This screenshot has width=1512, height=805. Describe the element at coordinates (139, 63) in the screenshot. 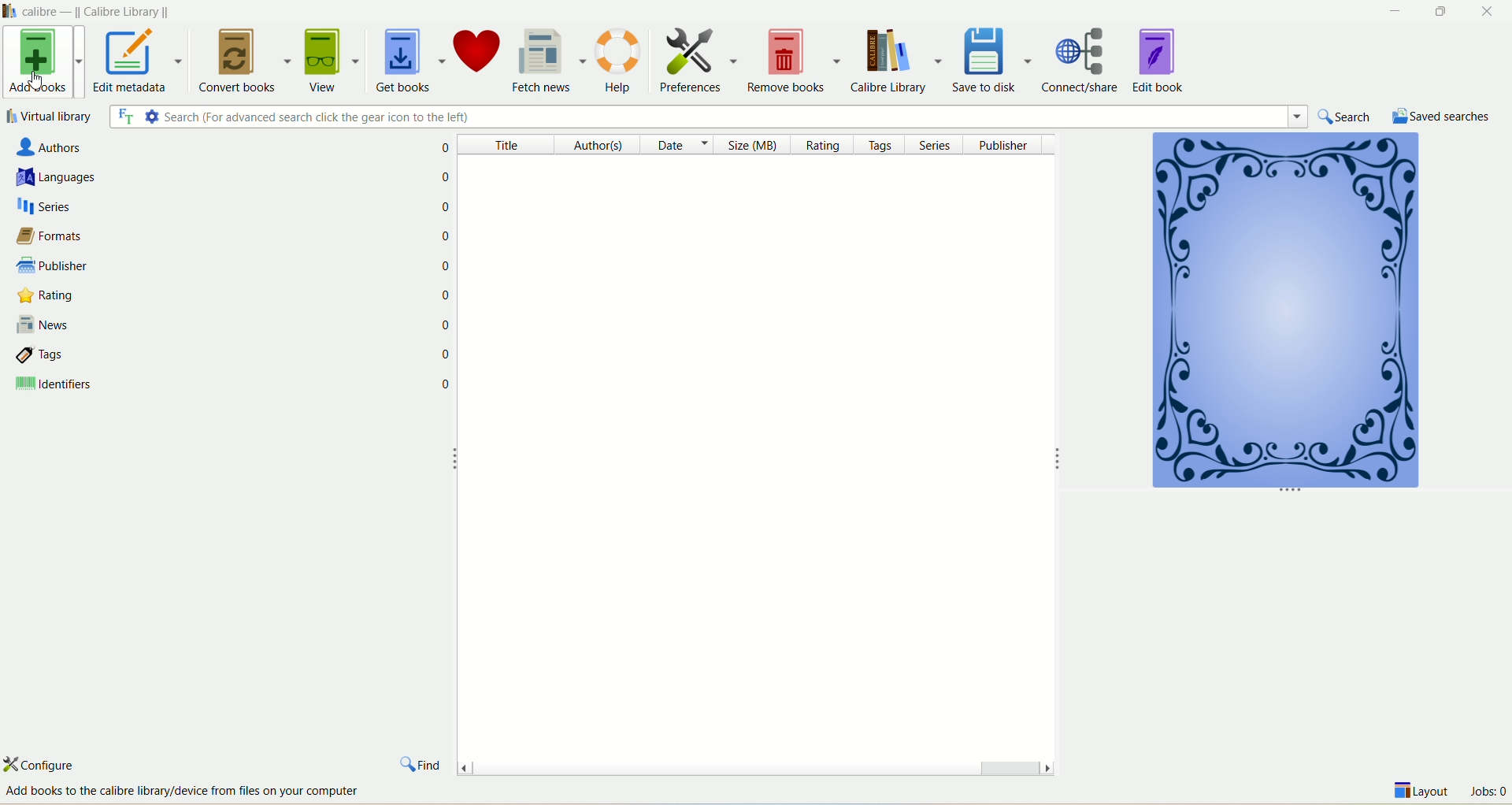

I see `edit metadata` at that location.